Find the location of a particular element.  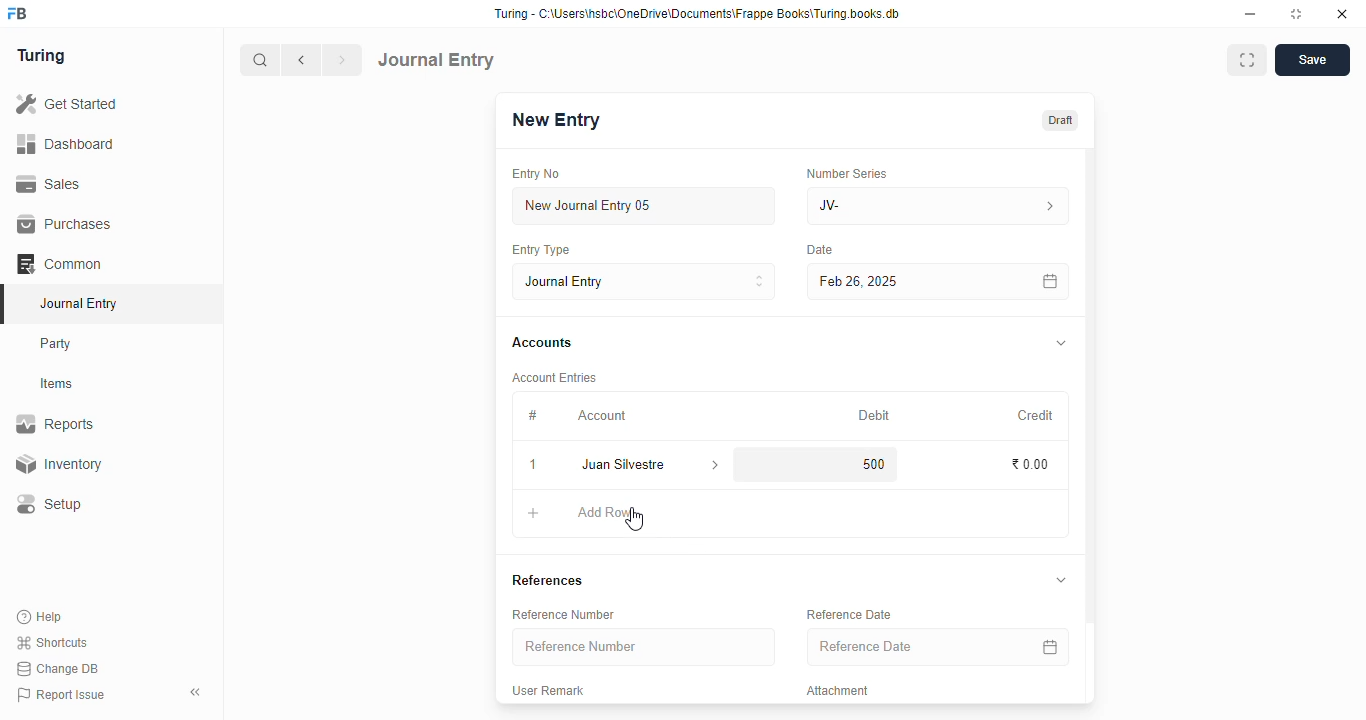

party is located at coordinates (58, 344).